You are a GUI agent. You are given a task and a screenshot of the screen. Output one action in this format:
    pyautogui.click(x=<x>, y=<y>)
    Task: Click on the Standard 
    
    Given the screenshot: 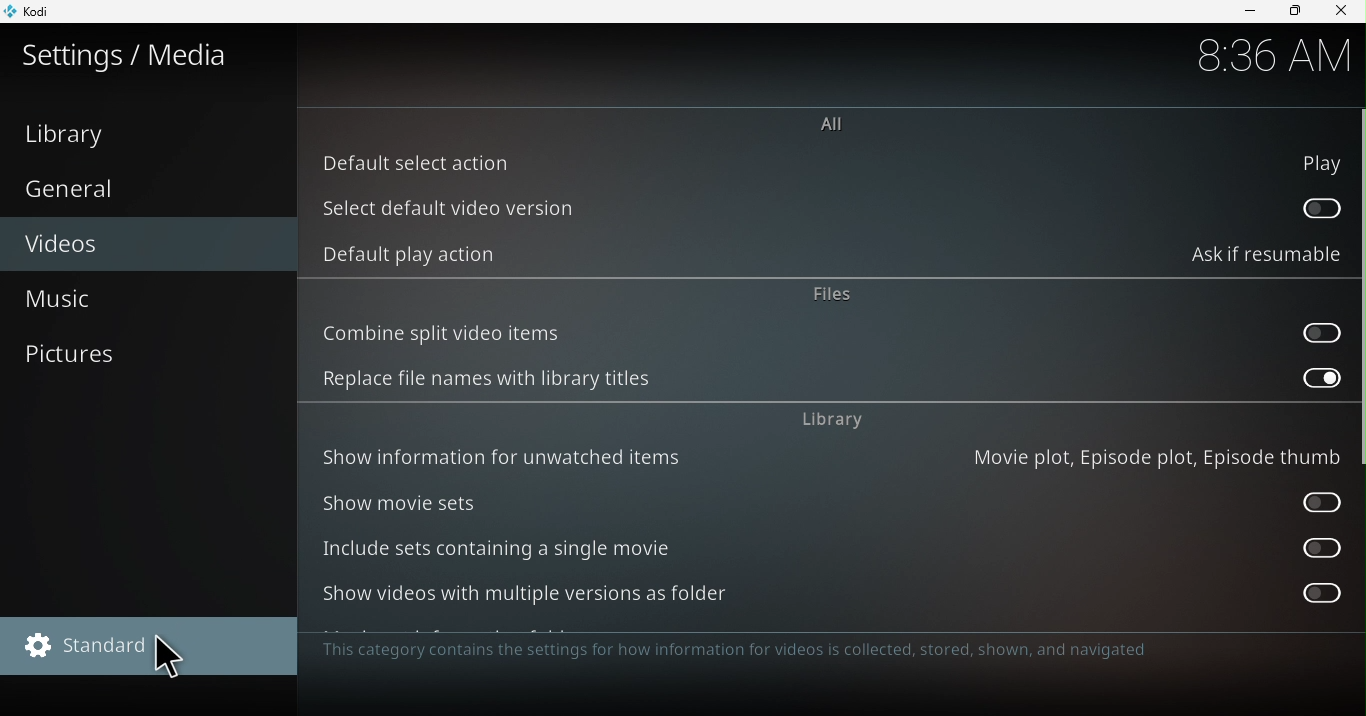 What is the action you would take?
    pyautogui.click(x=153, y=647)
    